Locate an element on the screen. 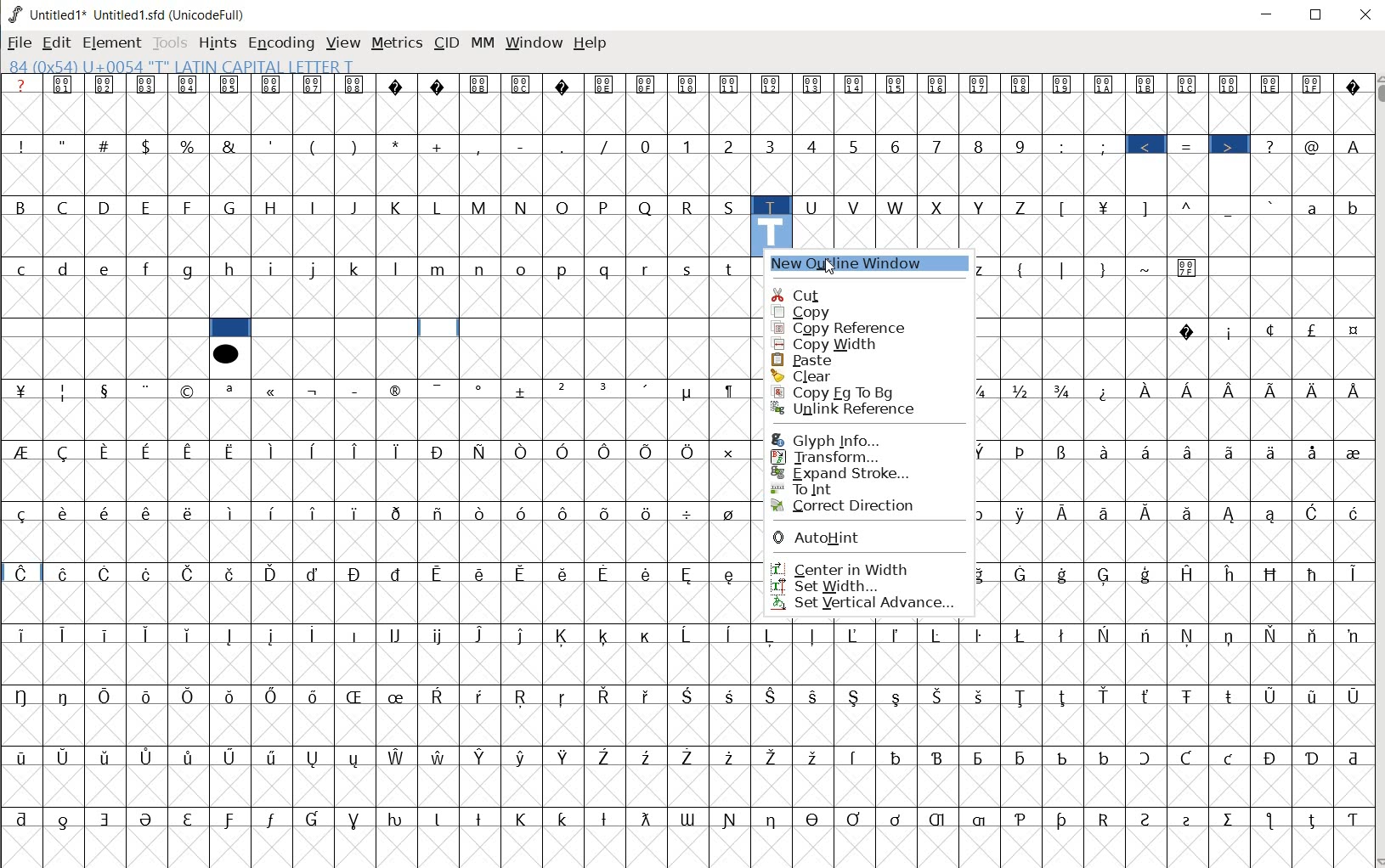 The height and width of the screenshot is (868, 1385). Symbol is located at coordinates (1106, 696).